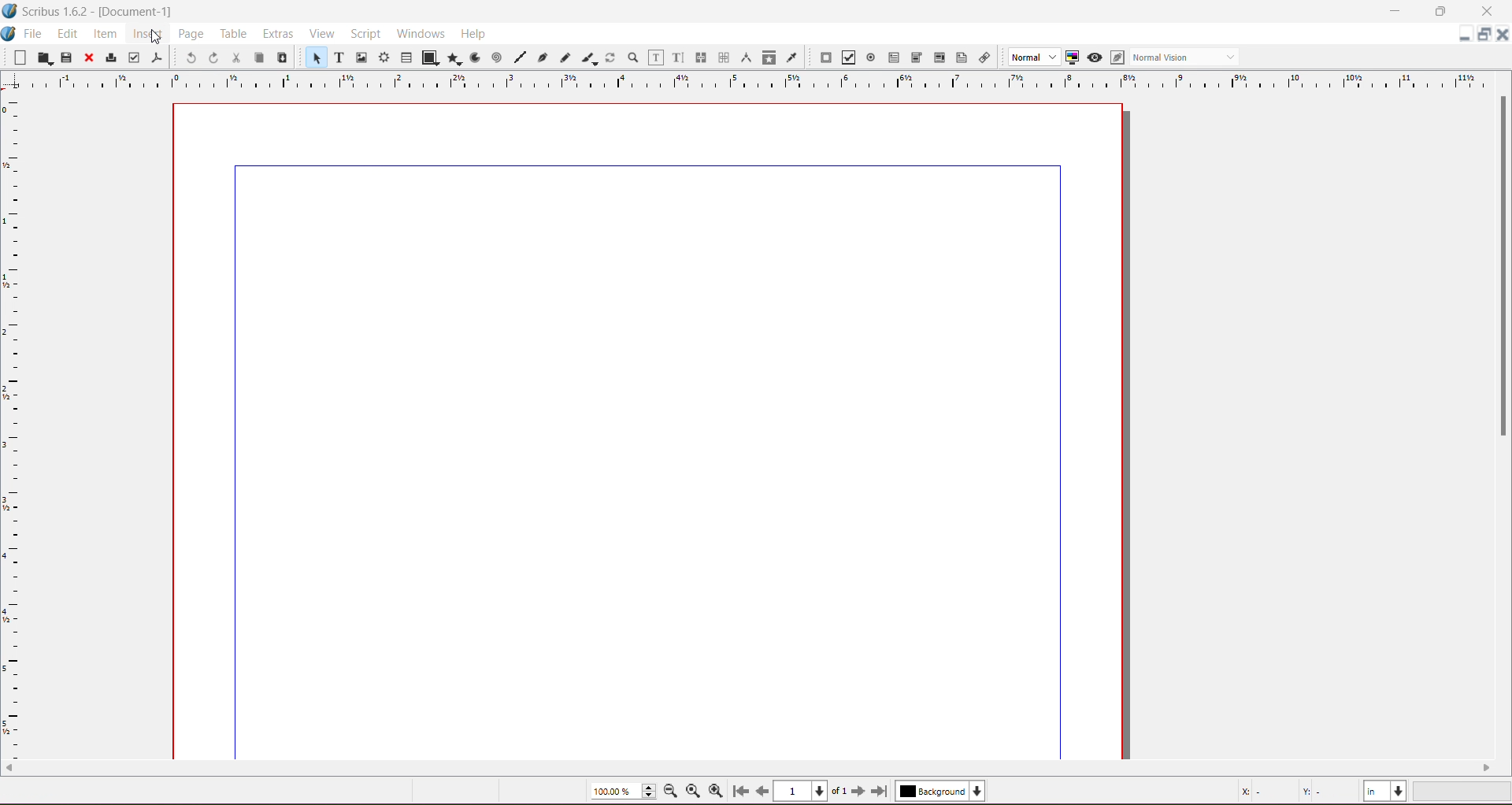 The width and height of the screenshot is (1512, 805). Describe the element at coordinates (1396, 10) in the screenshot. I see `Minimize` at that location.